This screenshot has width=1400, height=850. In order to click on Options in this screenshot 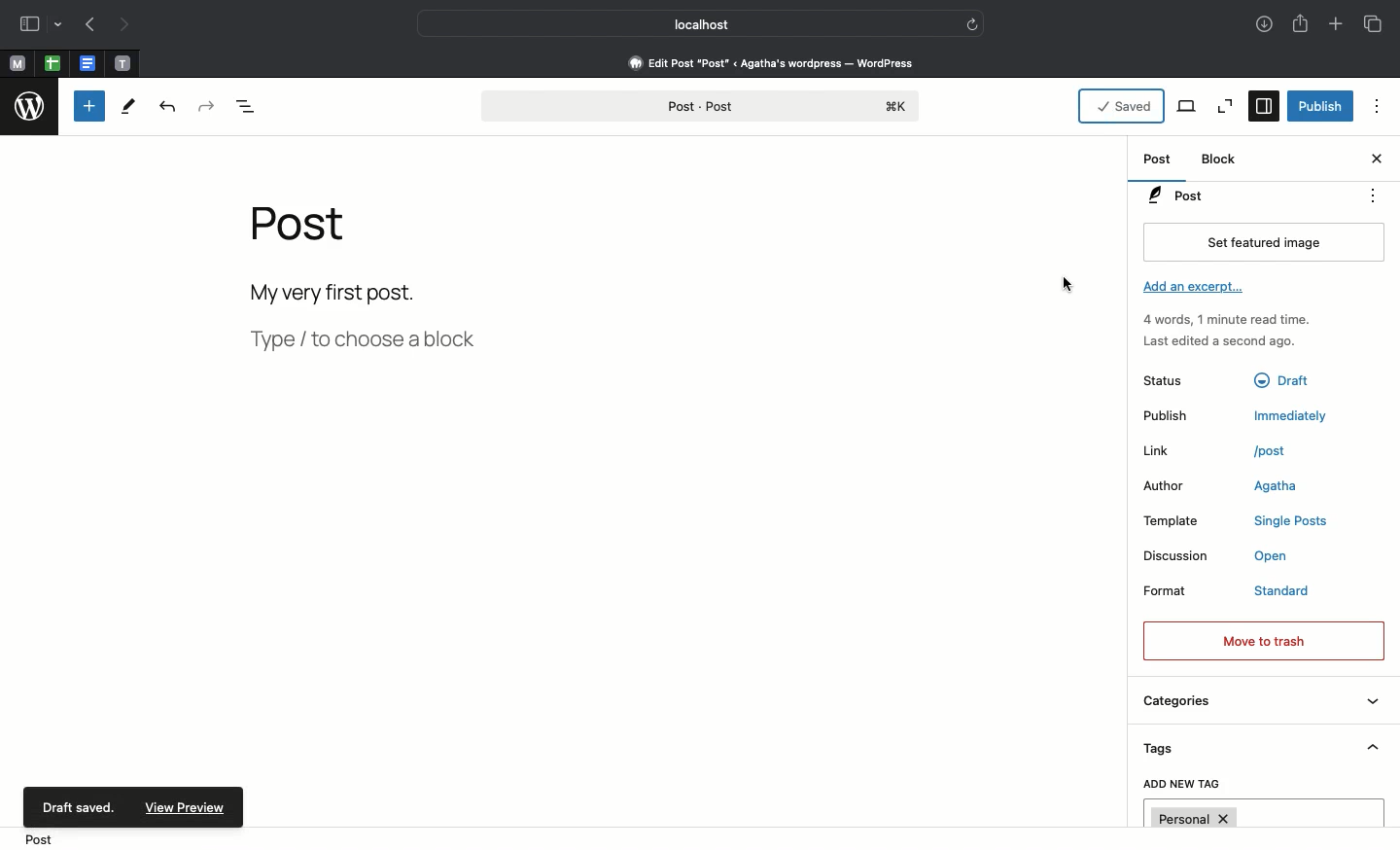, I will do `click(1378, 109)`.